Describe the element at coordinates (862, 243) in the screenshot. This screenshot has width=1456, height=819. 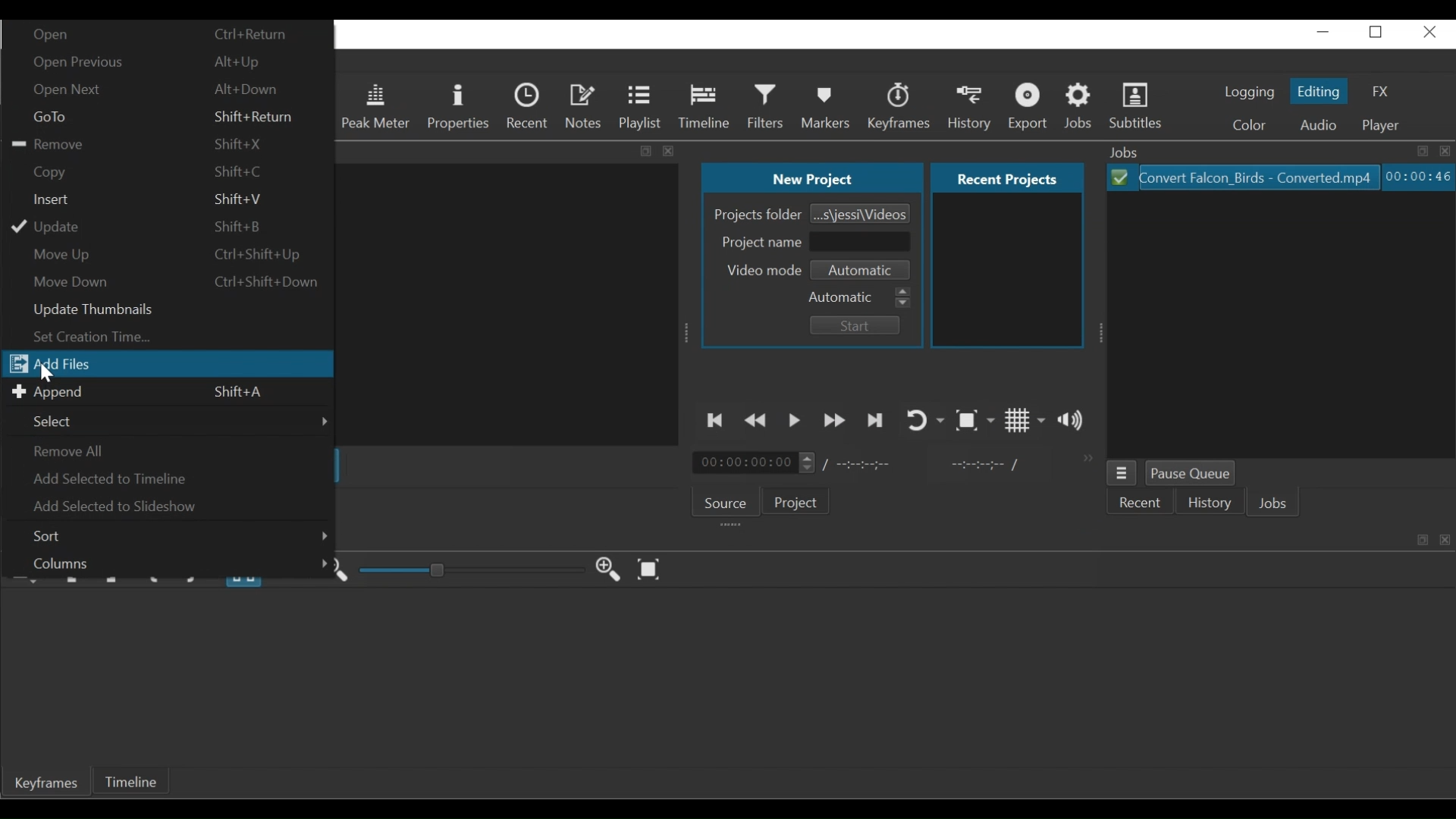
I see `Project Name Field` at that location.